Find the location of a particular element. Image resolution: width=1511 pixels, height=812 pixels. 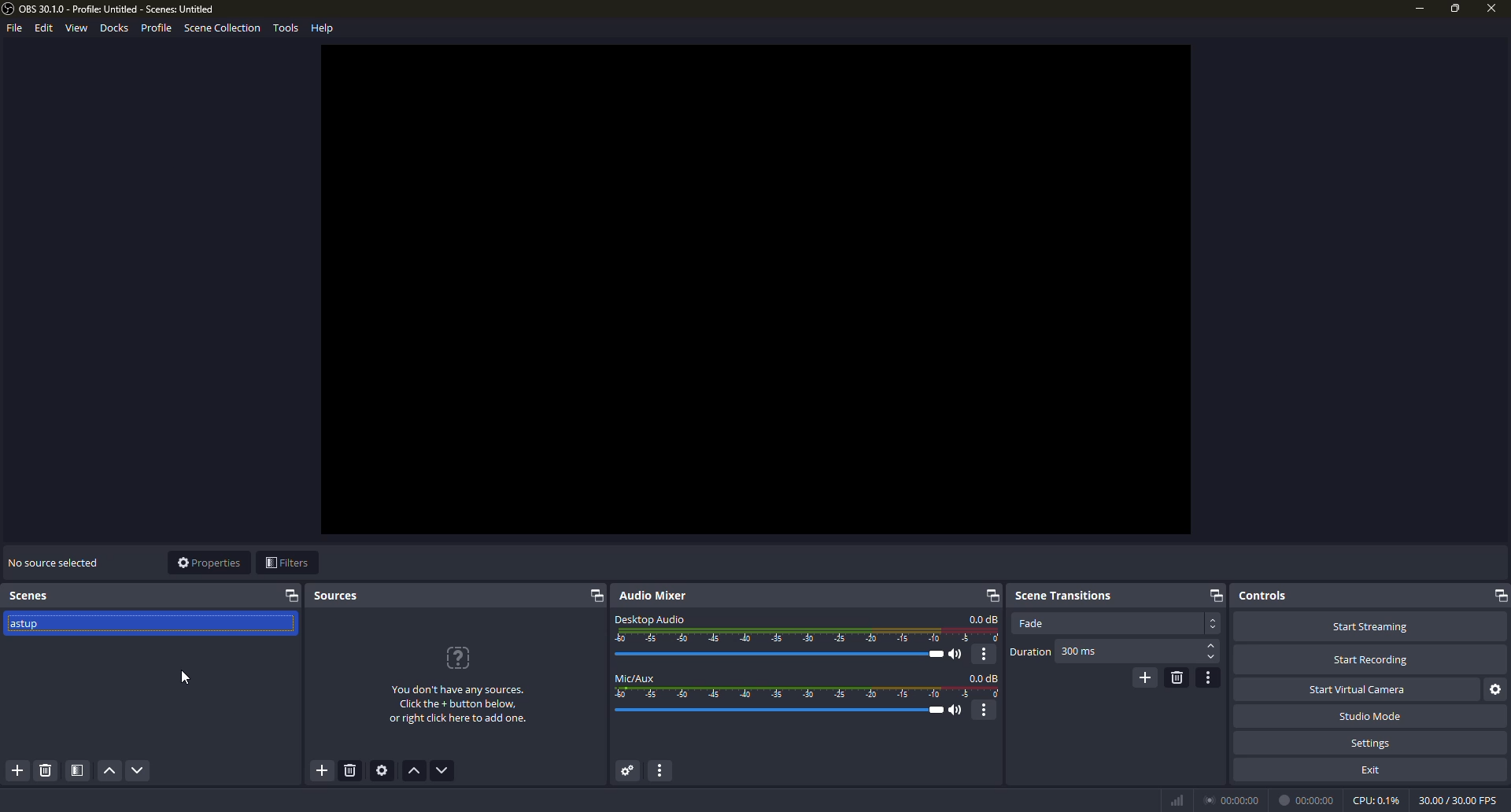

300 ms is located at coordinates (1080, 652).